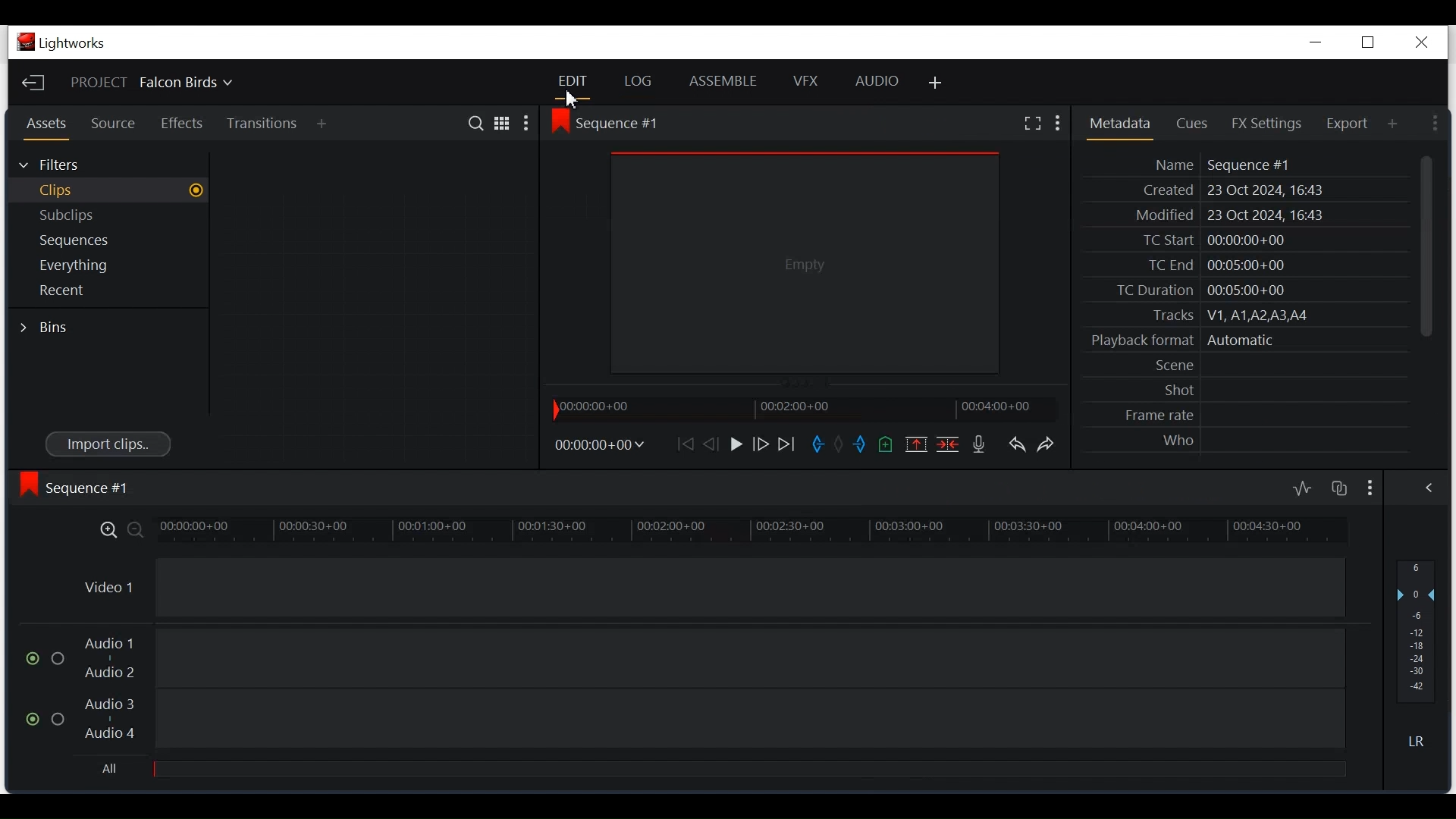  Describe the element at coordinates (861, 443) in the screenshot. I see `Marked out` at that location.